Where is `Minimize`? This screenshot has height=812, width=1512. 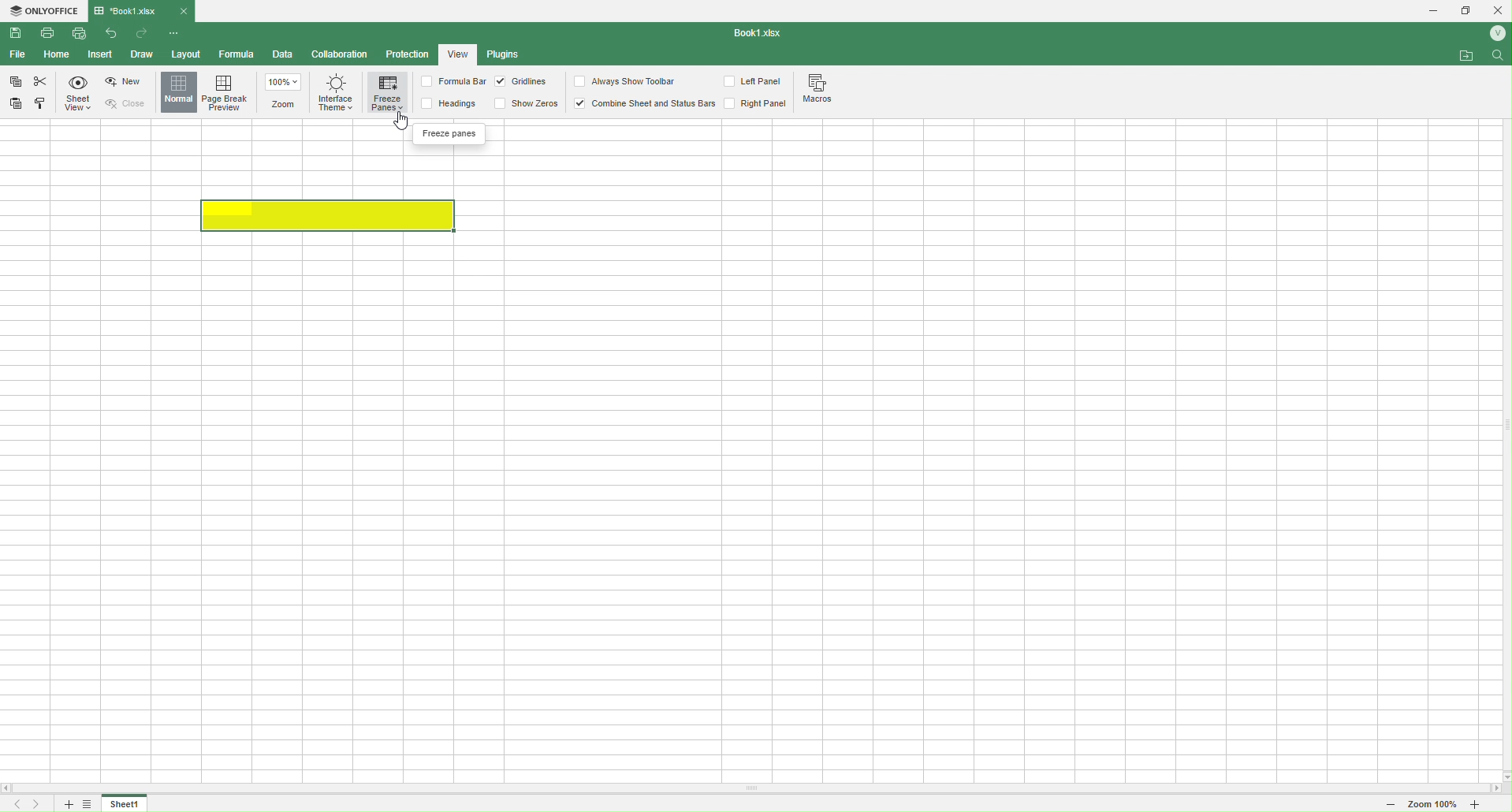
Minimize is located at coordinates (1428, 11).